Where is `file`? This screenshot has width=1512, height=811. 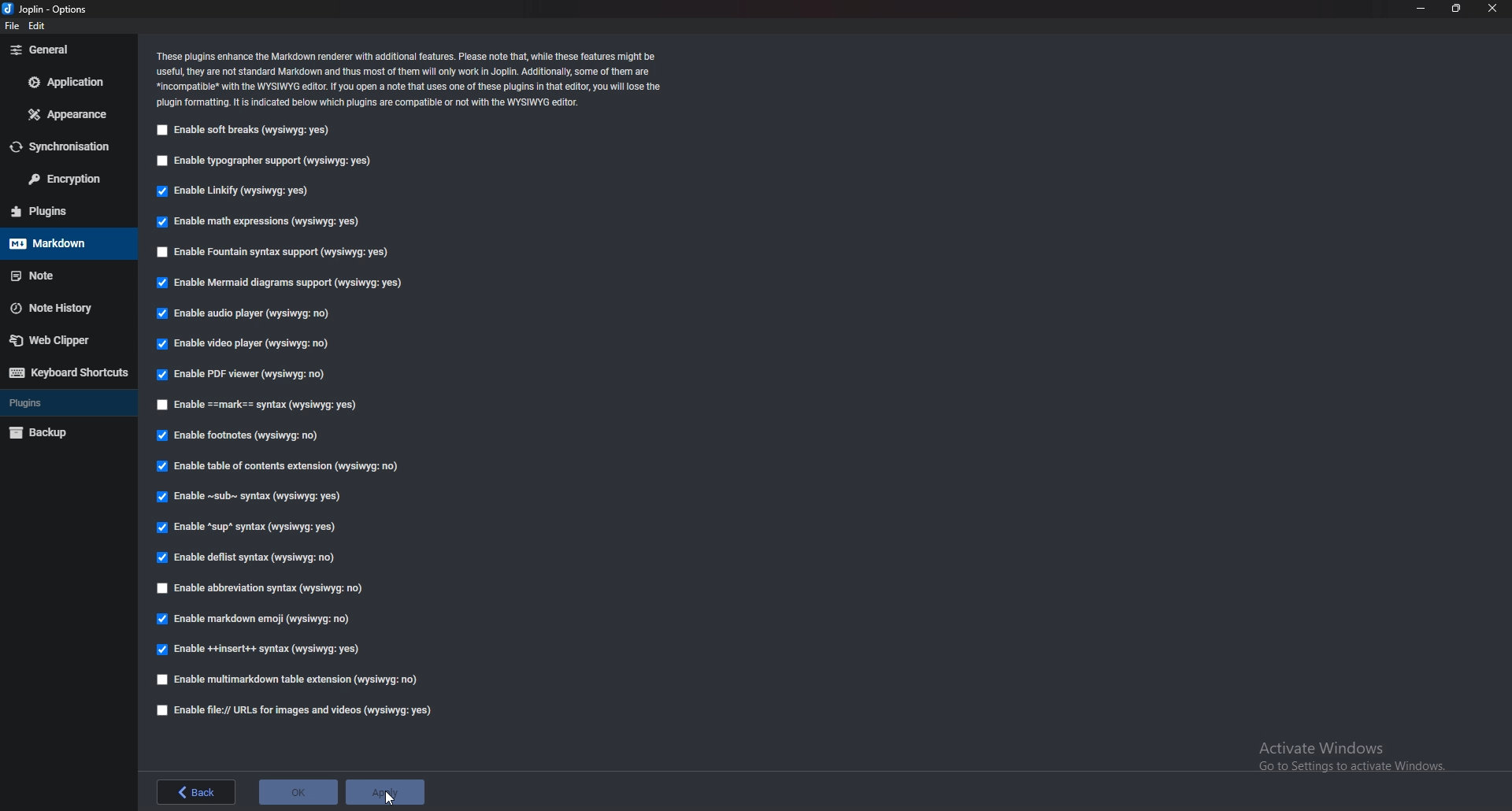 file is located at coordinates (13, 26).